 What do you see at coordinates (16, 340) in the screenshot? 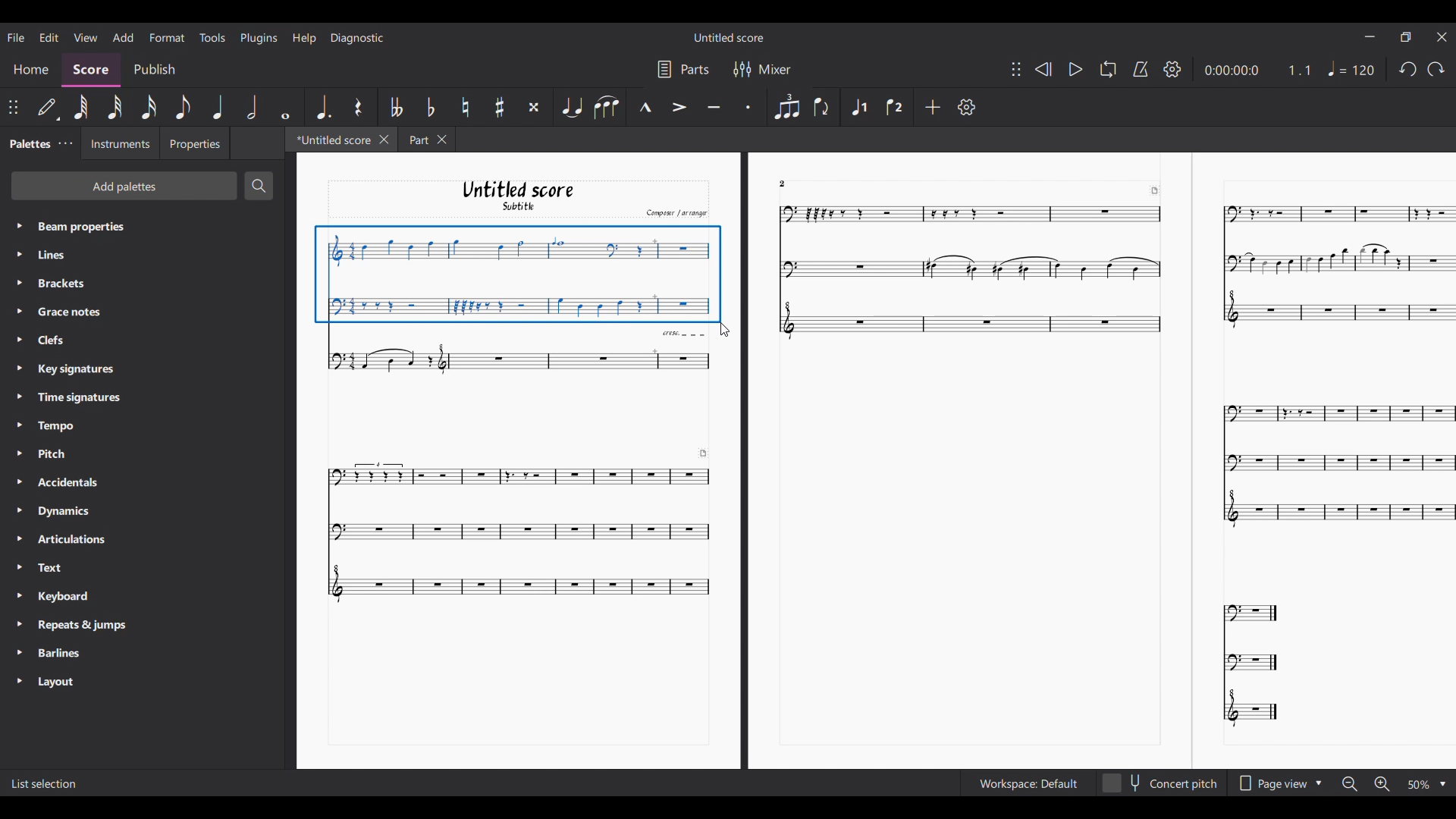
I see `` at bounding box center [16, 340].